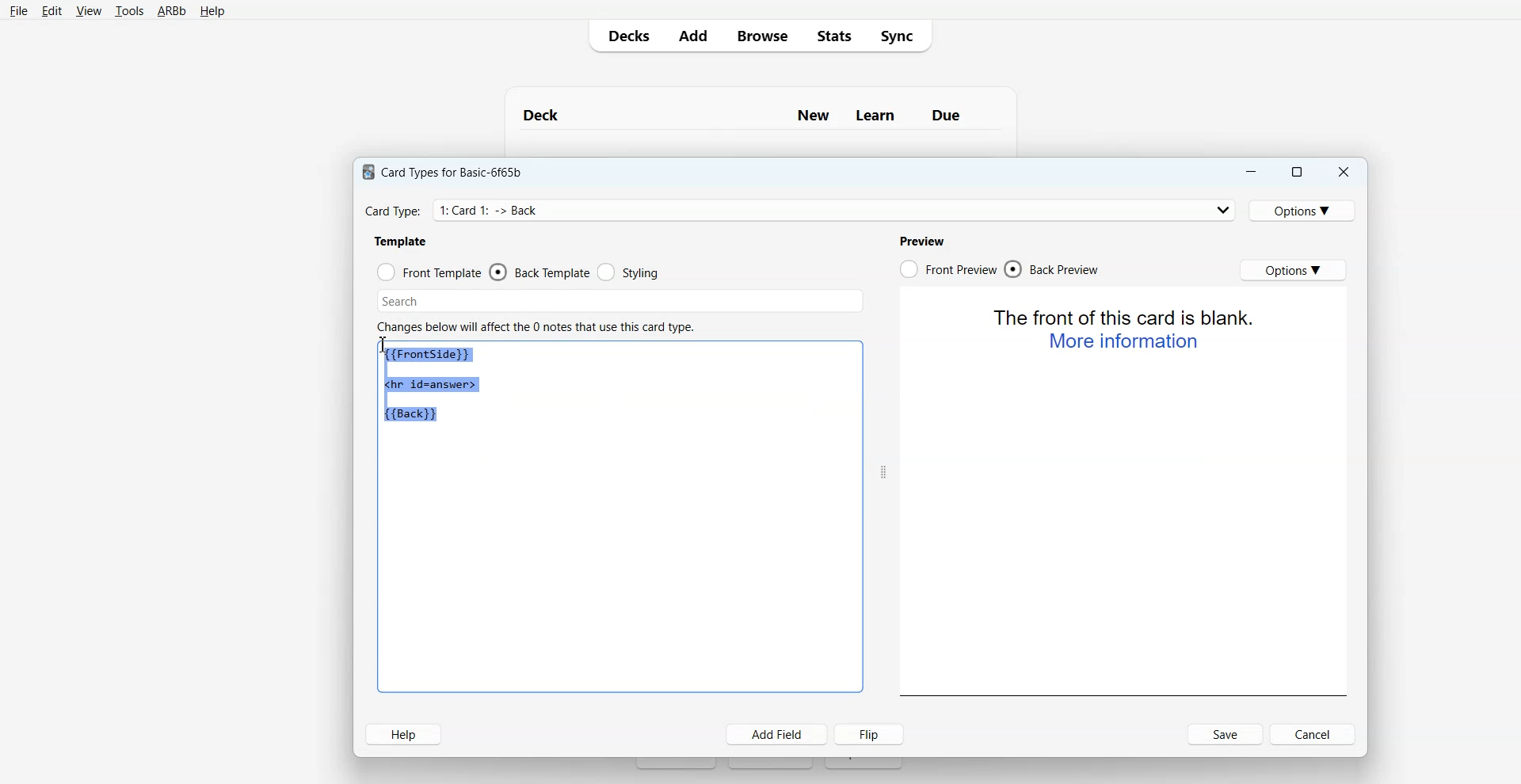 This screenshot has width=1521, height=784. I want to click on Front Preview, so click(947, 268).